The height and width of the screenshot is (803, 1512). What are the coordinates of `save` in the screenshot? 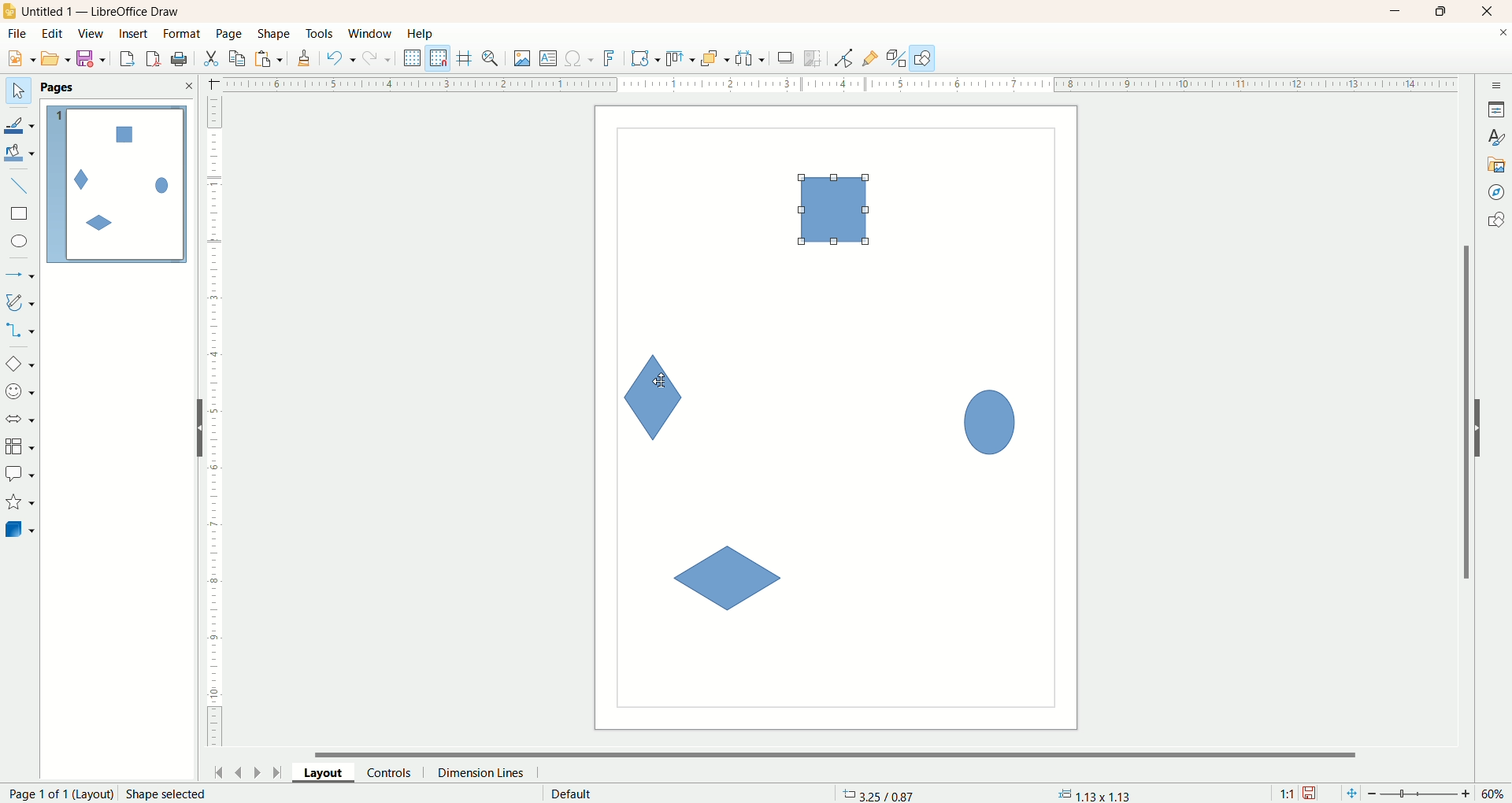 It's located at (94, 59).